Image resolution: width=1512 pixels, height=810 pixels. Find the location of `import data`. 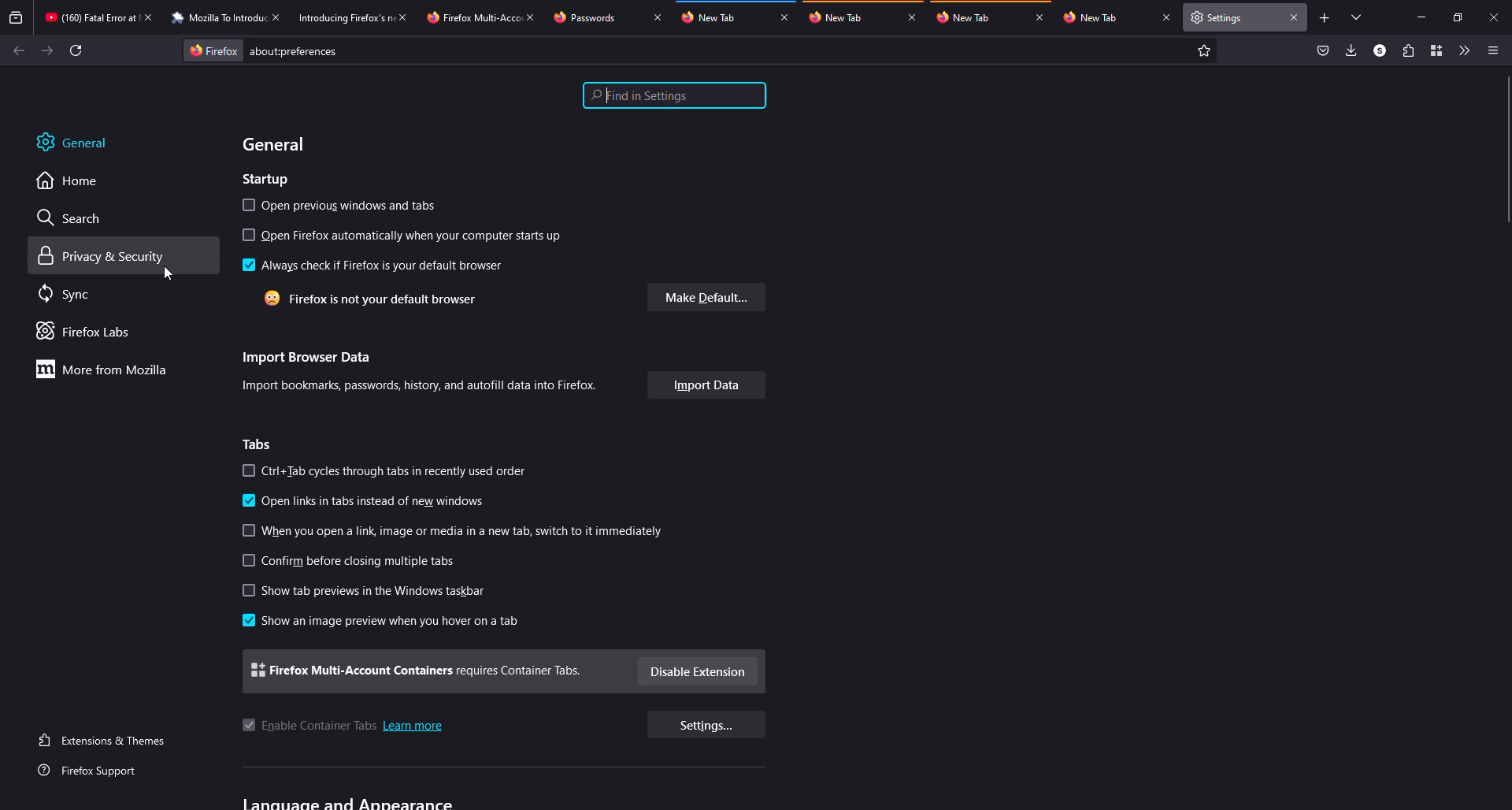

import data is located at coordinates (706, 385).